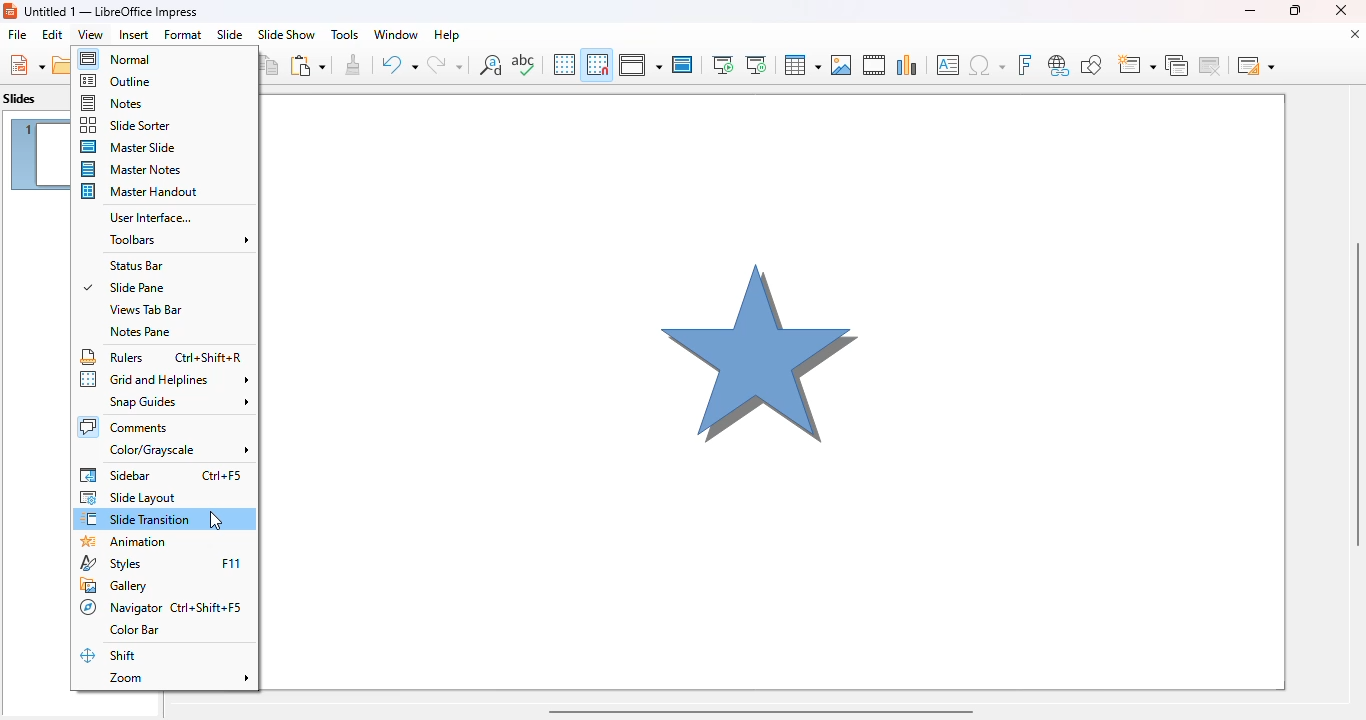  What do you see at coordinates (53, 34) in the screenshot?
I see `edit` at bounding box center [53, 34].